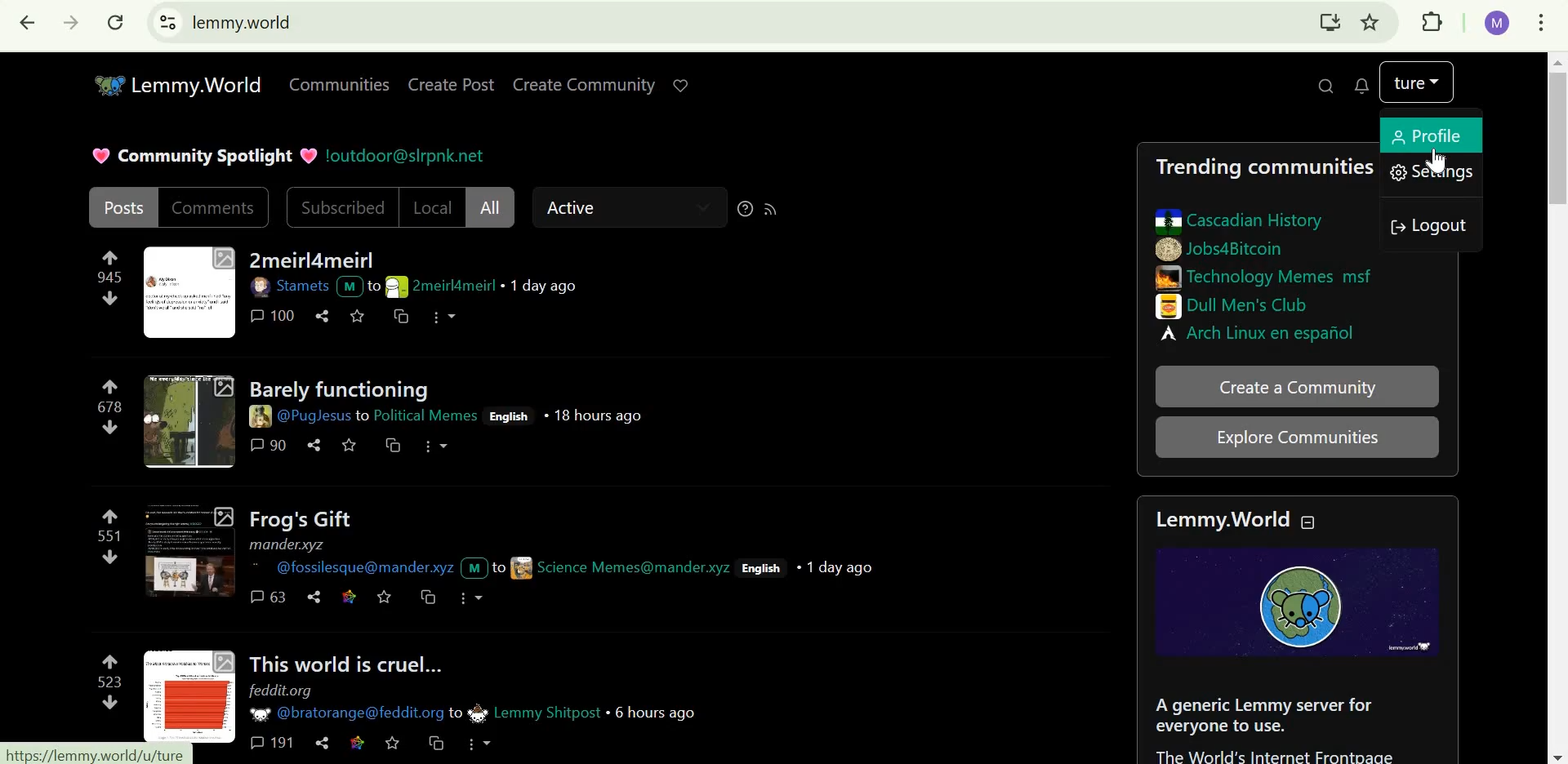 The width and height of the screenshot is (1568, 764). I want to click on mander.xyz, so click(289, 544).